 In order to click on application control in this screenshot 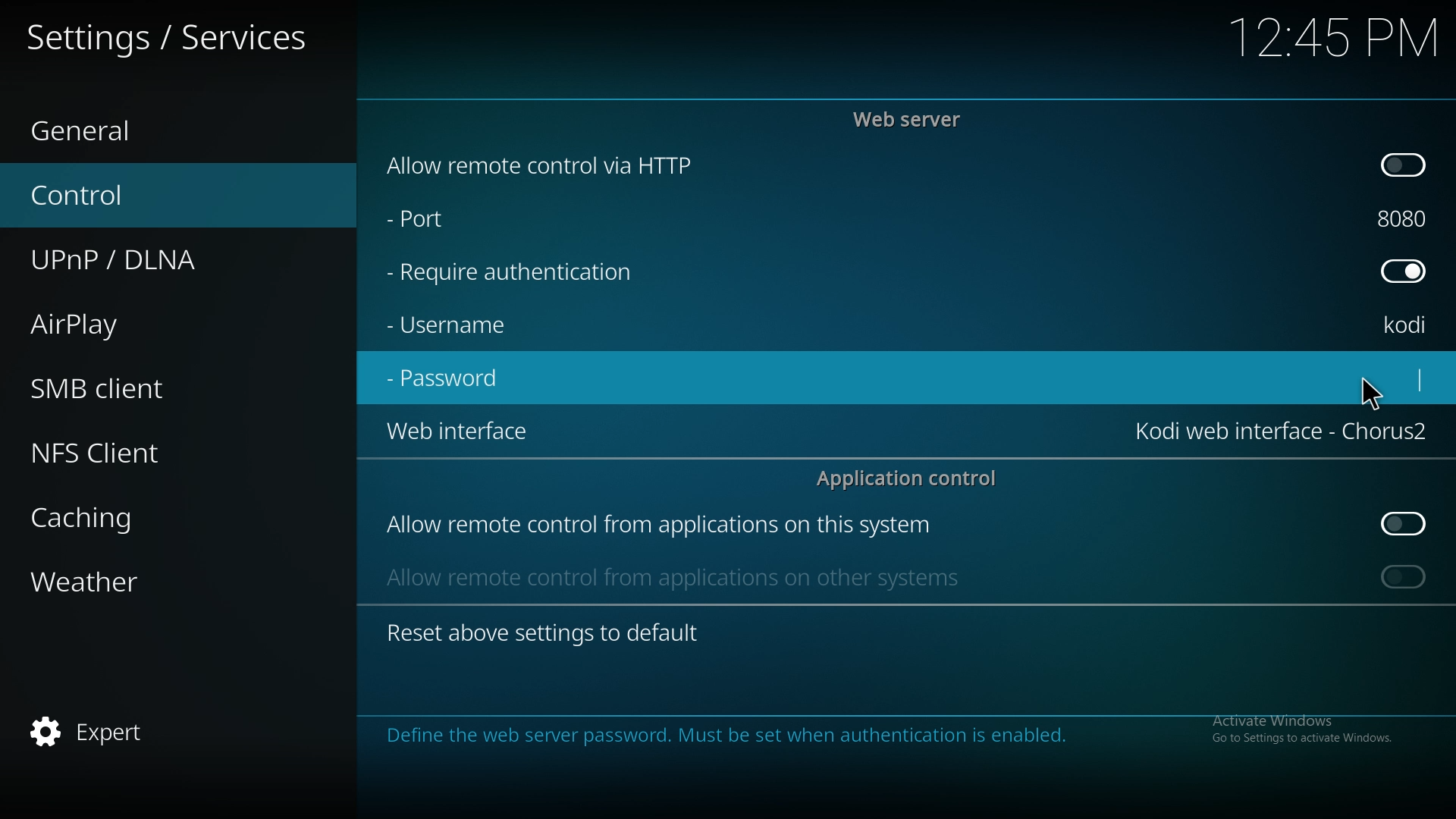, I will do `click(915, 478)`.